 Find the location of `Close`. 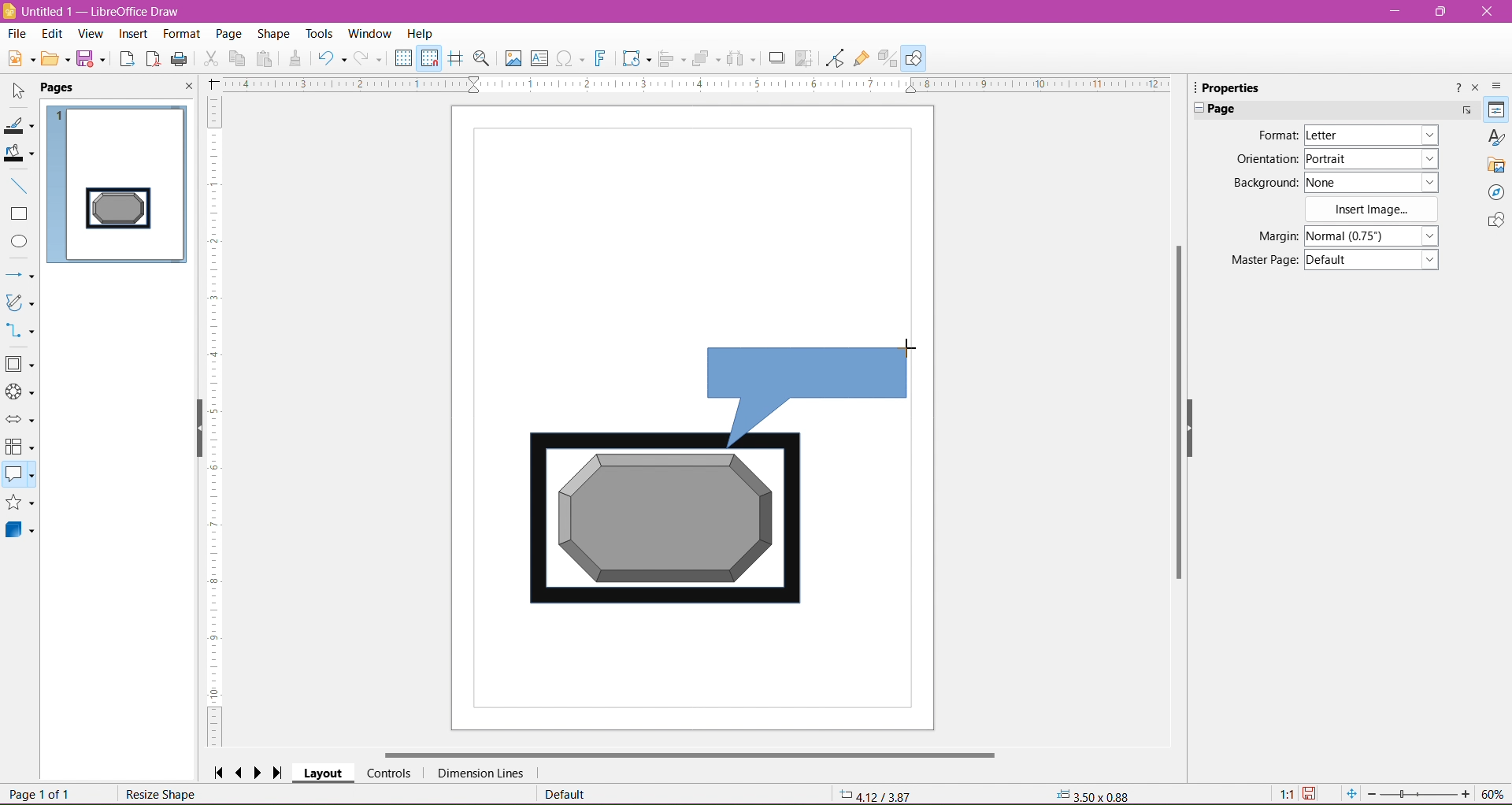

Close is located at coordinates (187, 88).